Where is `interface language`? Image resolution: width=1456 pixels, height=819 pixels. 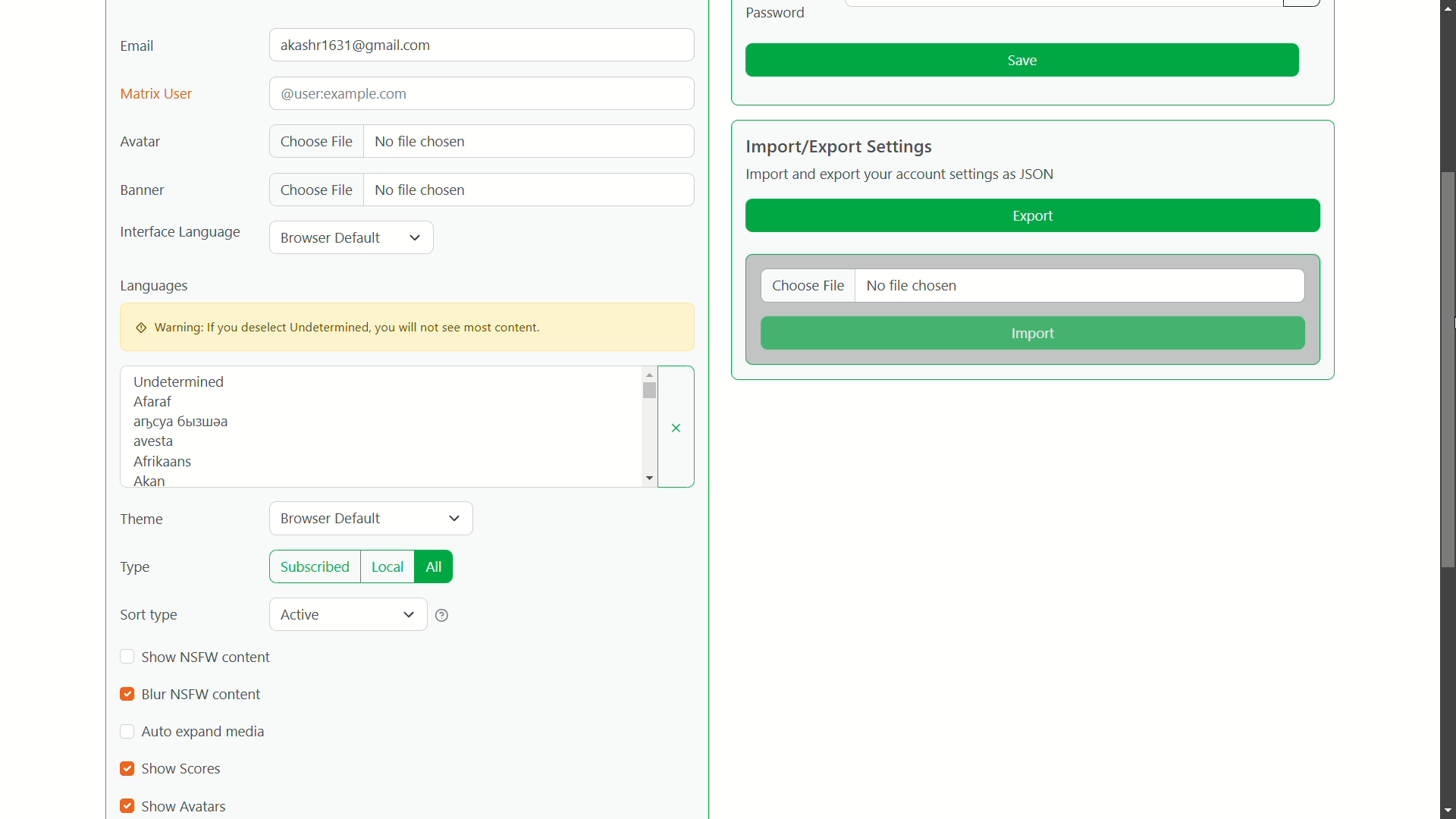 interface language is located at coordinates (180, 234).